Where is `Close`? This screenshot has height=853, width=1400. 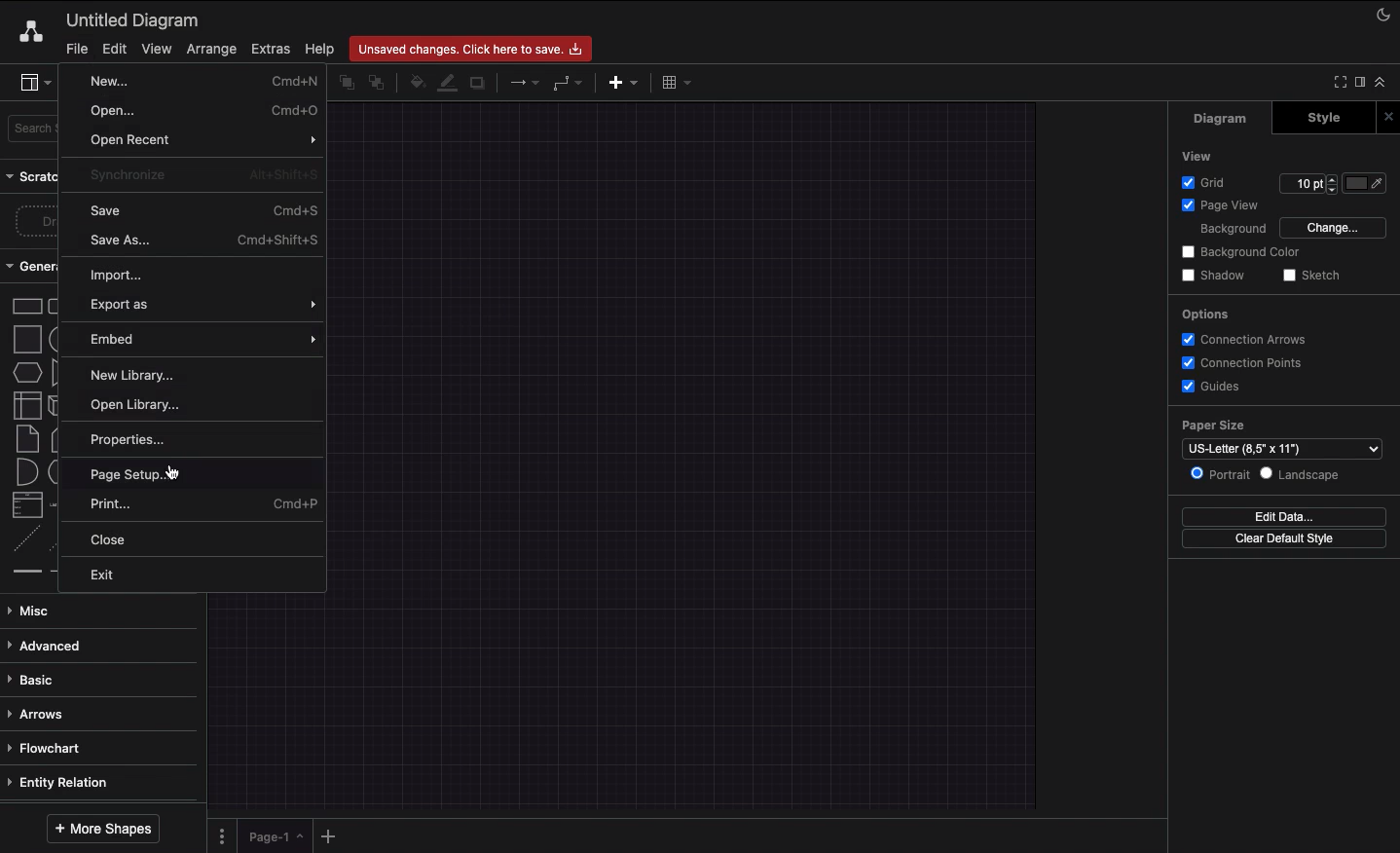 Close is located at coordinates (116, 540).